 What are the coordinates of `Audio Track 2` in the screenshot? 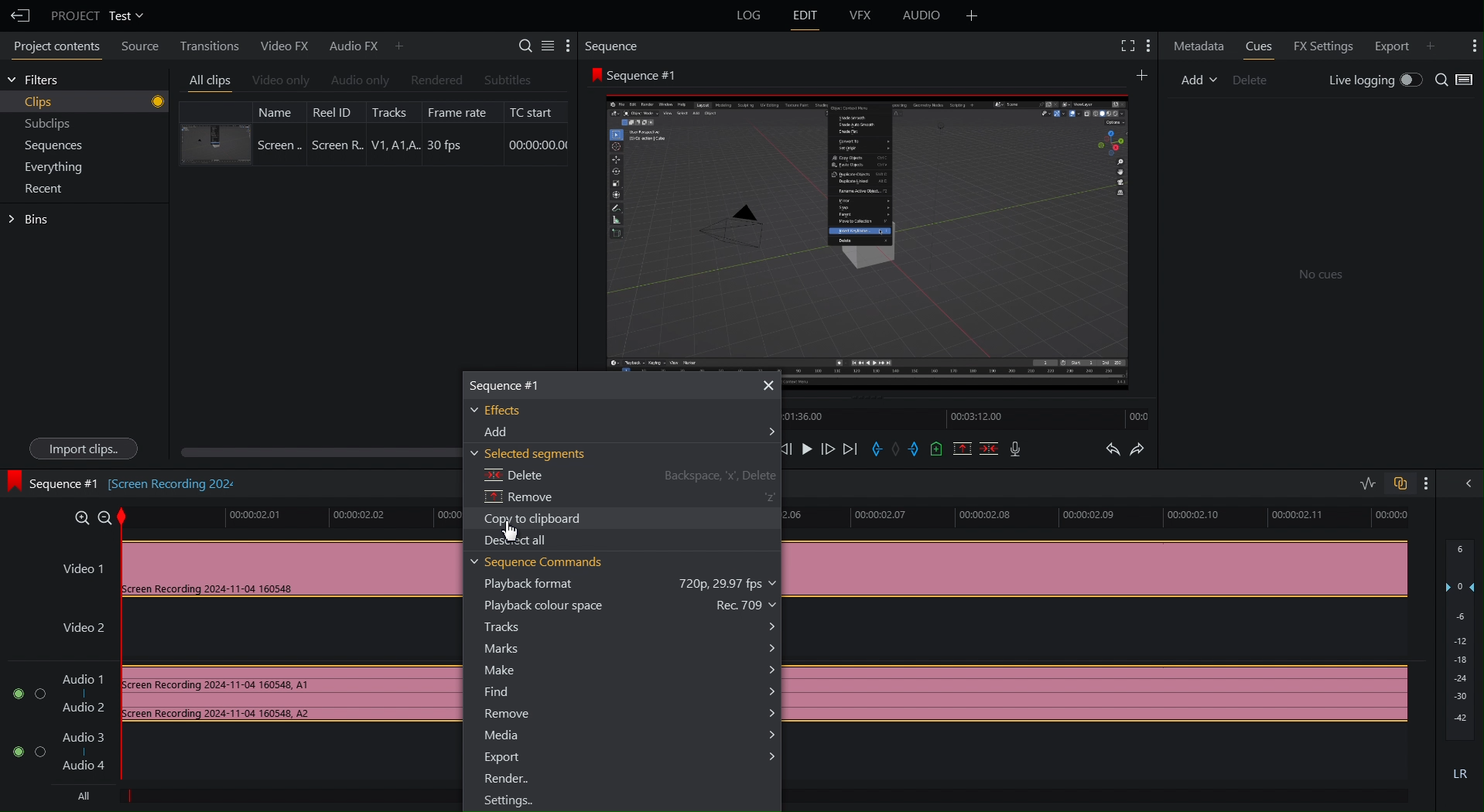 It's located at (69, 755).